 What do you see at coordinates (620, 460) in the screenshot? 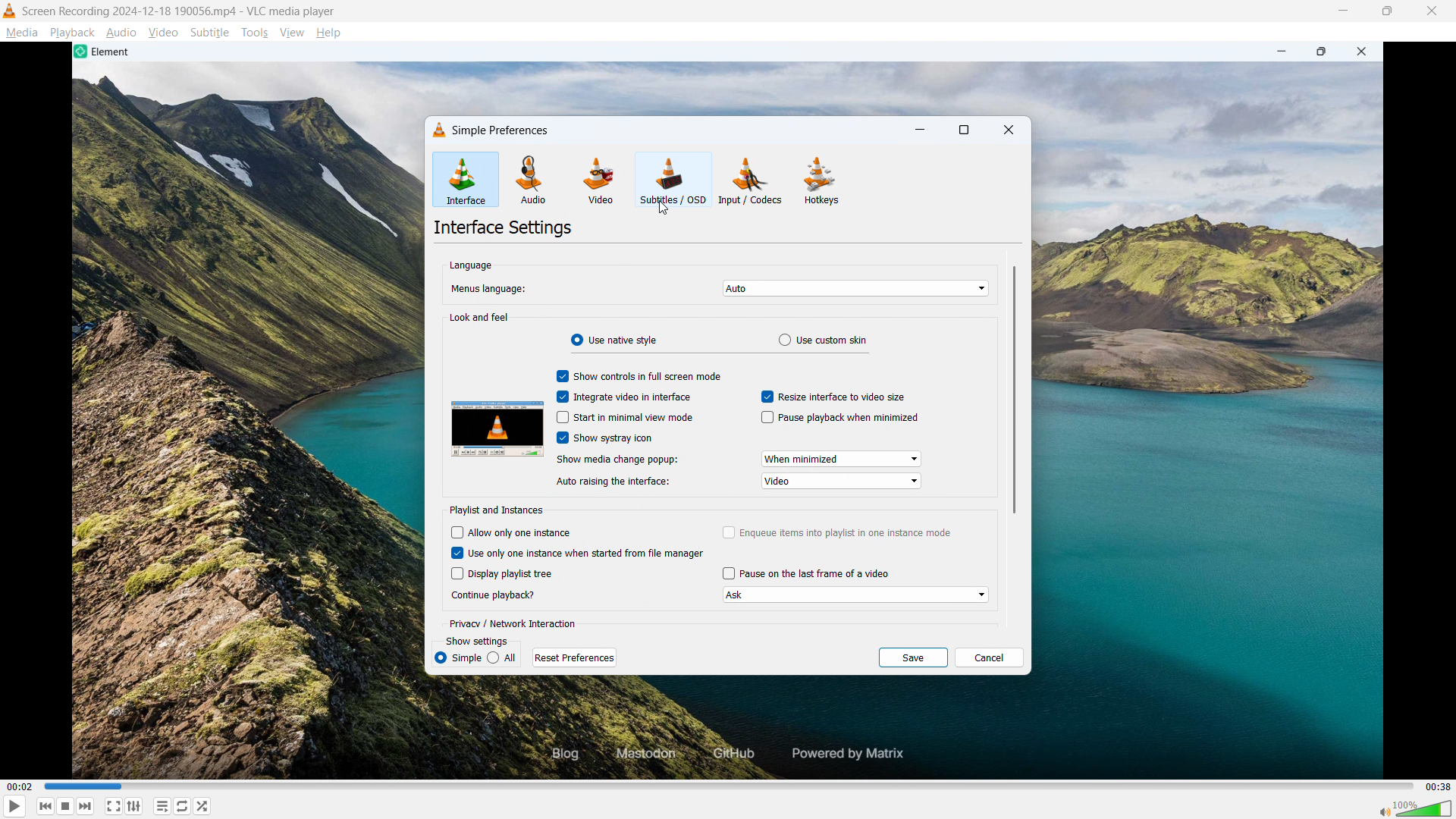
I see `Show media change popup:` at bounding box center [620, 460].